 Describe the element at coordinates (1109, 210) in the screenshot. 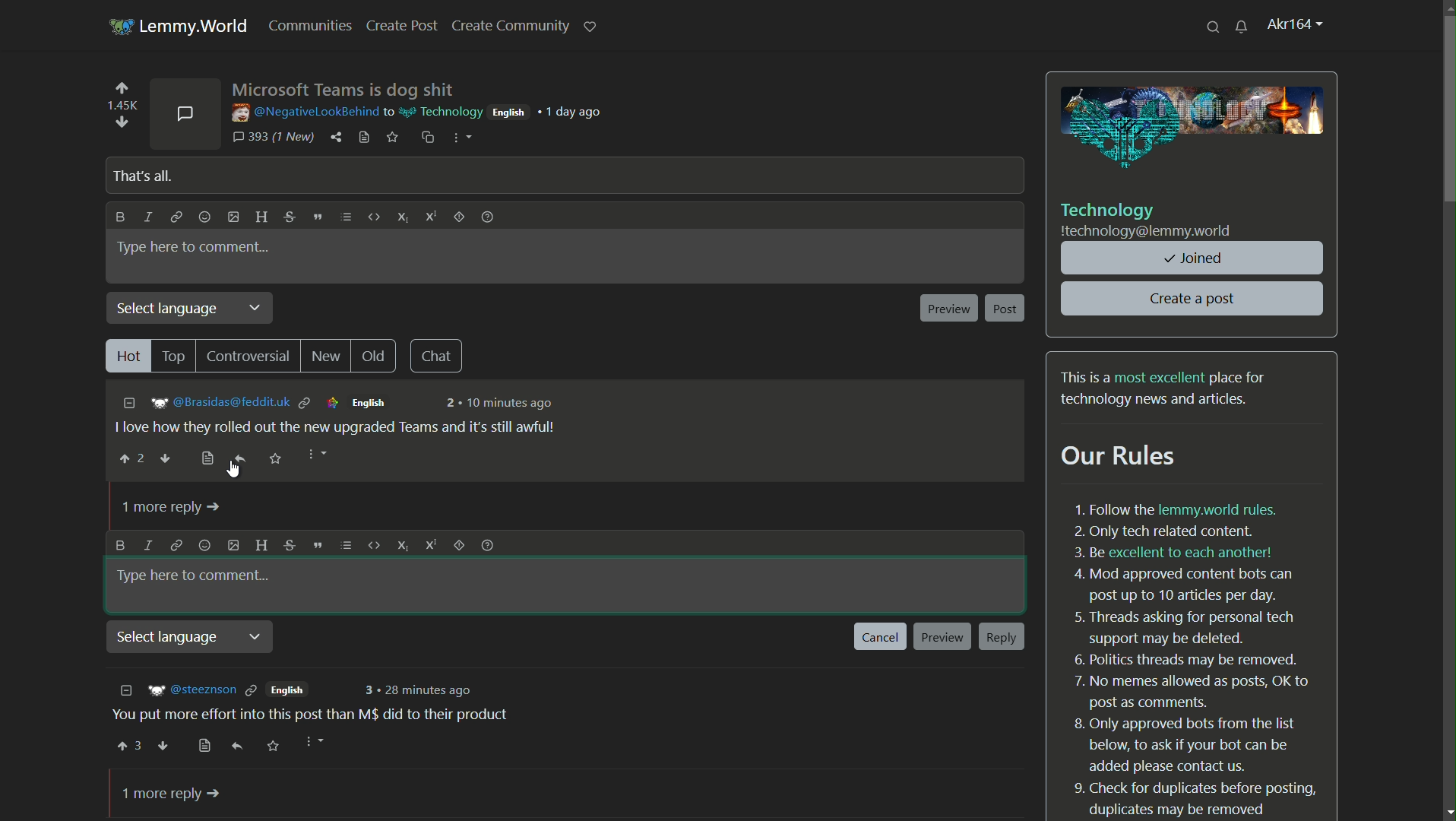

I see `community name` at that location.